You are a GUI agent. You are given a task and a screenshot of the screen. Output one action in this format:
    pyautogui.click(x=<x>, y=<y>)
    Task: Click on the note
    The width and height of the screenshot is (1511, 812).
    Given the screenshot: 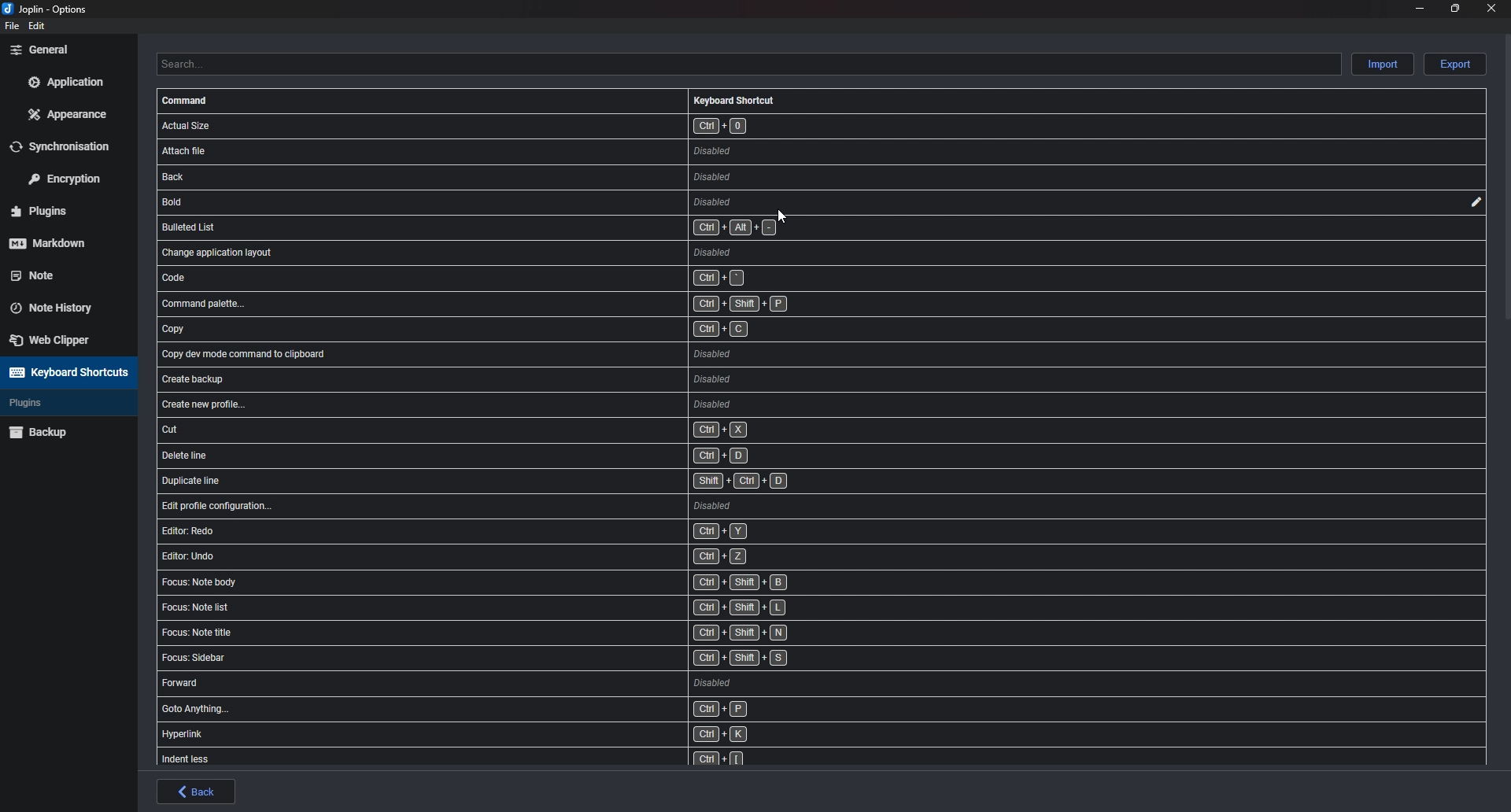 What is the action you would take?
    pyautogui.click(x=59, y=274)
    